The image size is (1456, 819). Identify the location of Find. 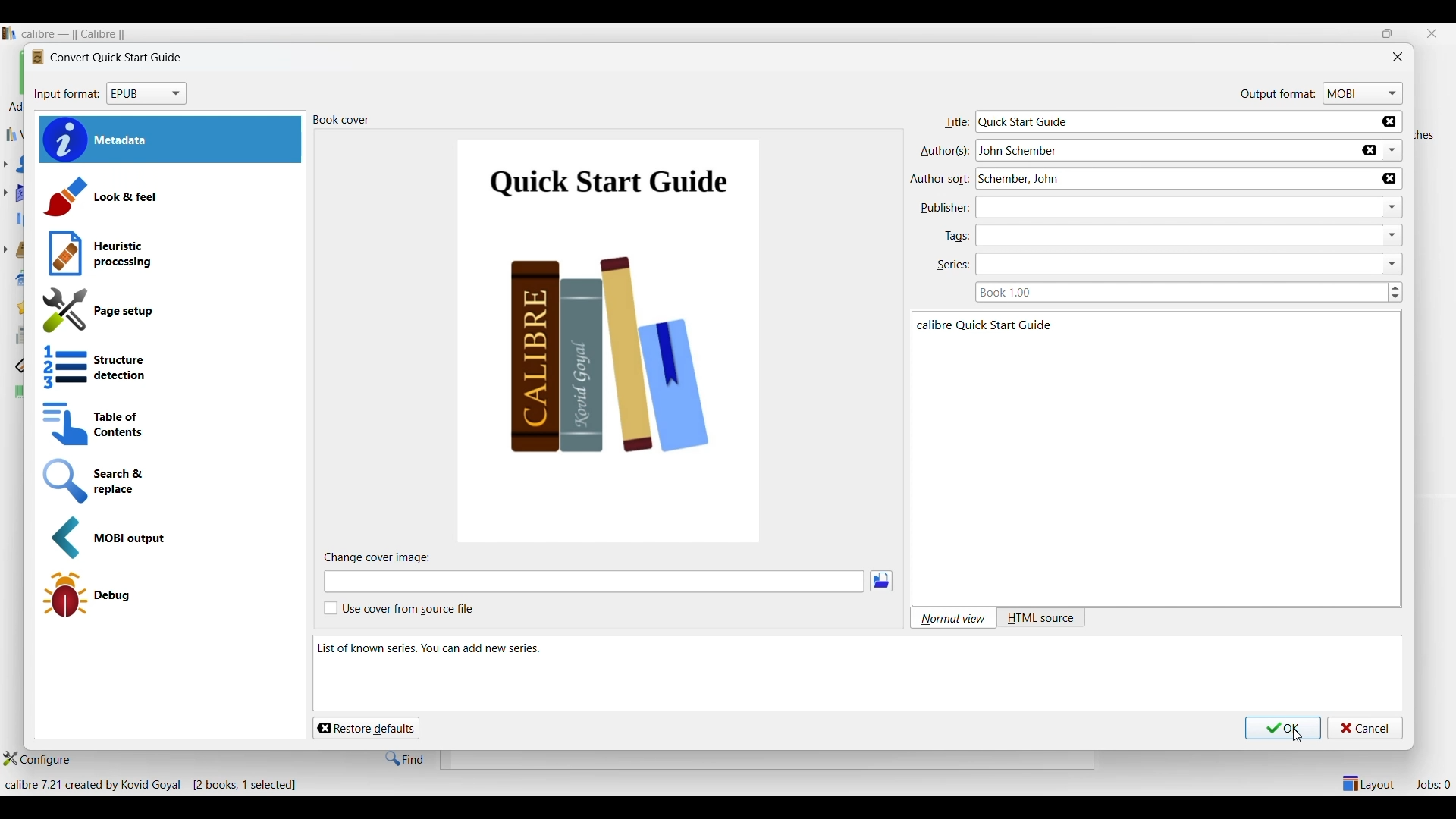
(406, 758).